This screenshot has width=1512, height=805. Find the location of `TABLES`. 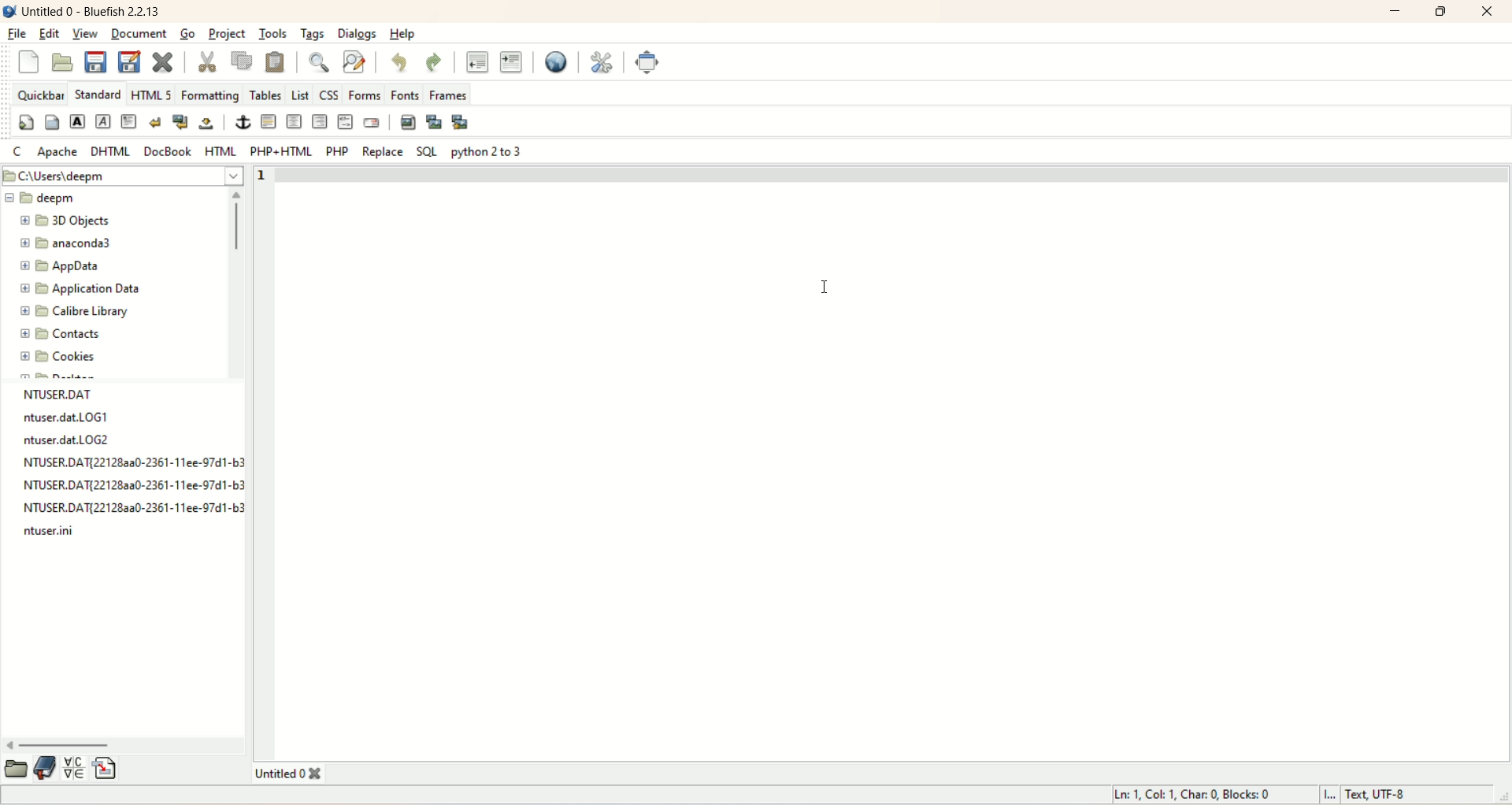

TABLES is located at coordinates (265, 94).